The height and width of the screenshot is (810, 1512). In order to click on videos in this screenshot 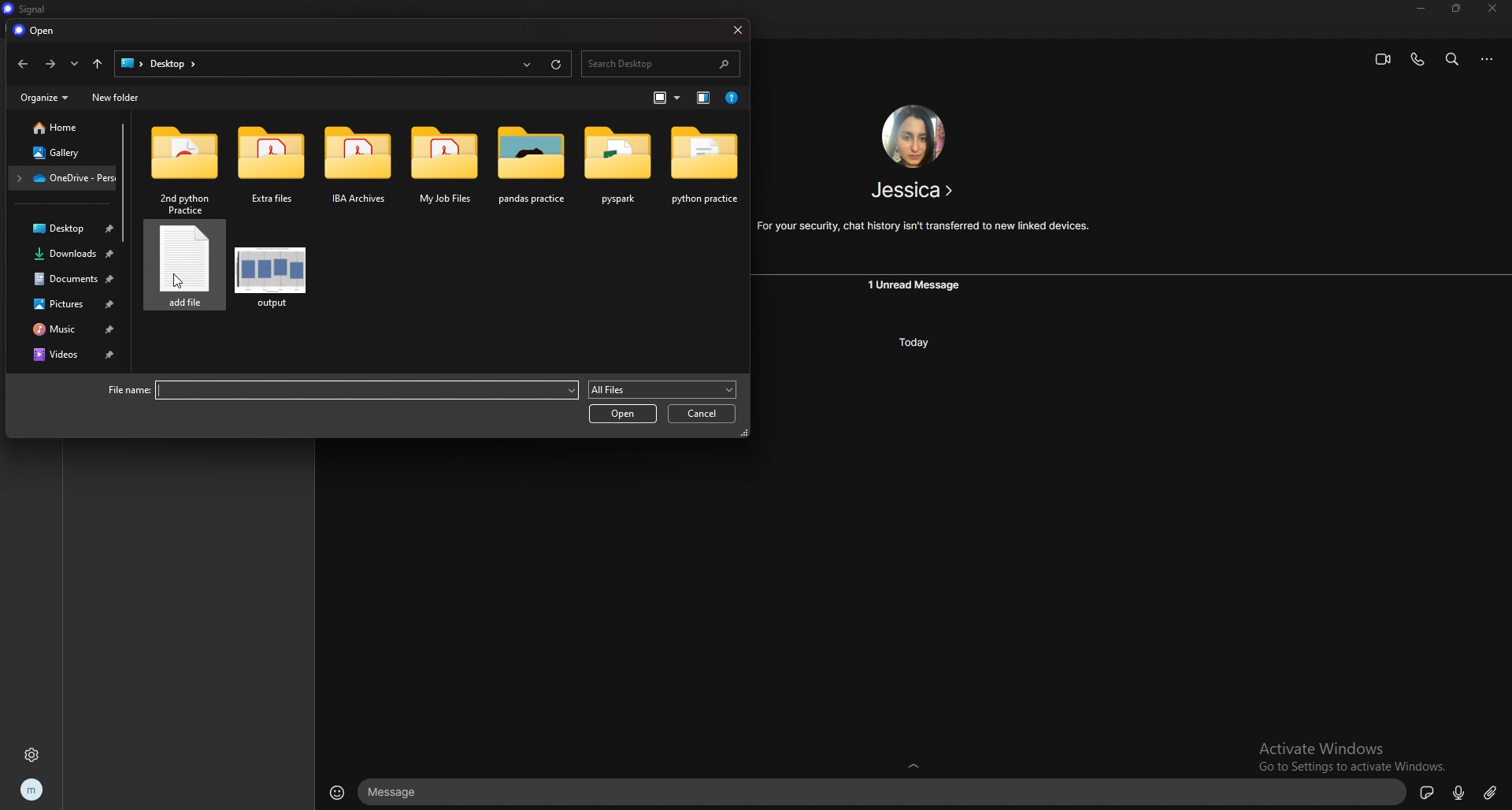, I will do `click(68, 355)`.